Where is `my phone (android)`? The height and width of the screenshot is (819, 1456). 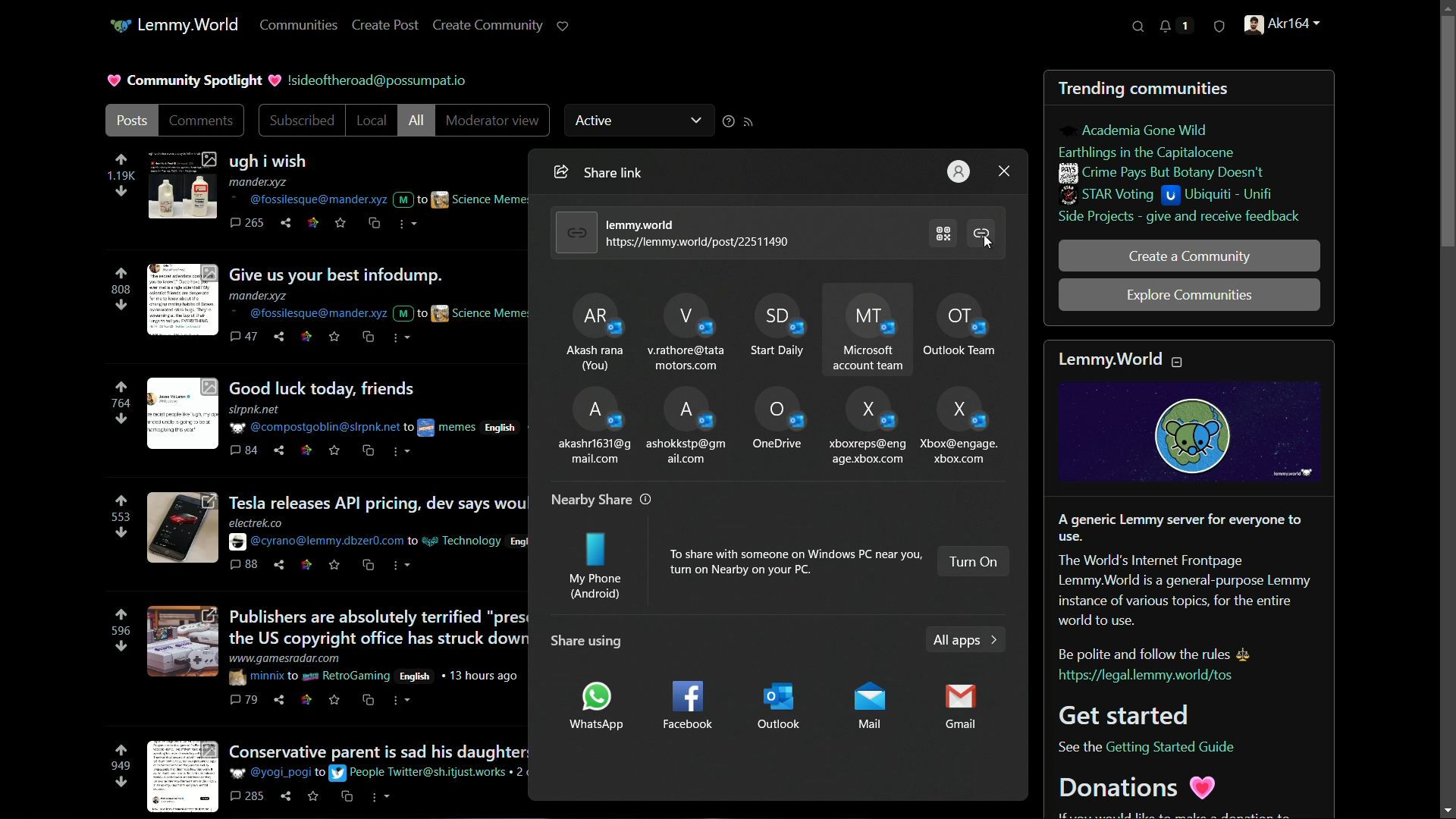 my phone (android) is located at coordinates (595, 569).